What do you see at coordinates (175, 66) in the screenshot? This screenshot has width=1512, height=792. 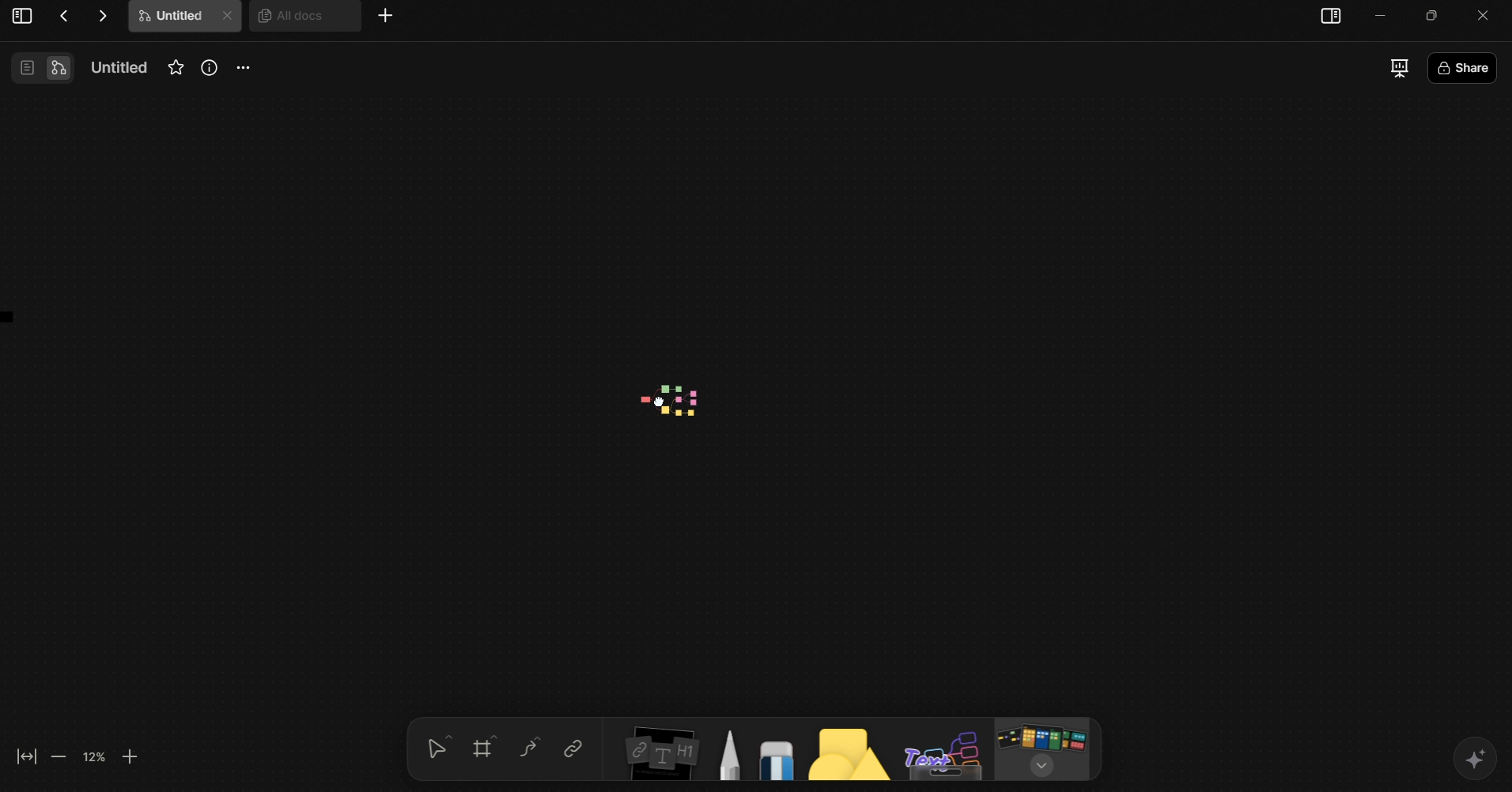 I see `Favourites` at bounding box center [175, 66].